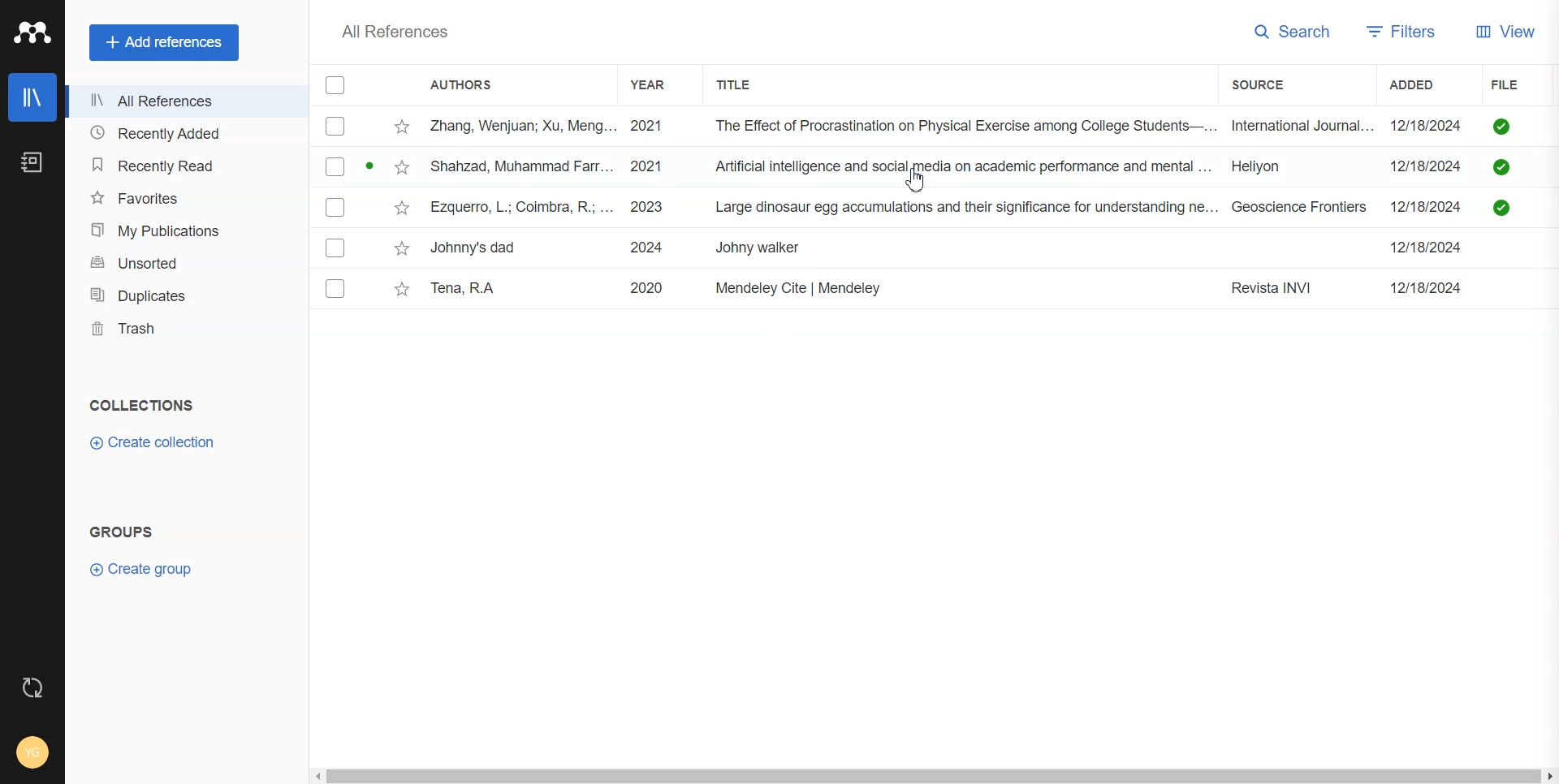  What do you see at coordinates (183, 166) in the screenshot?
I see `Recently Read` at bounding box center [183, 166].